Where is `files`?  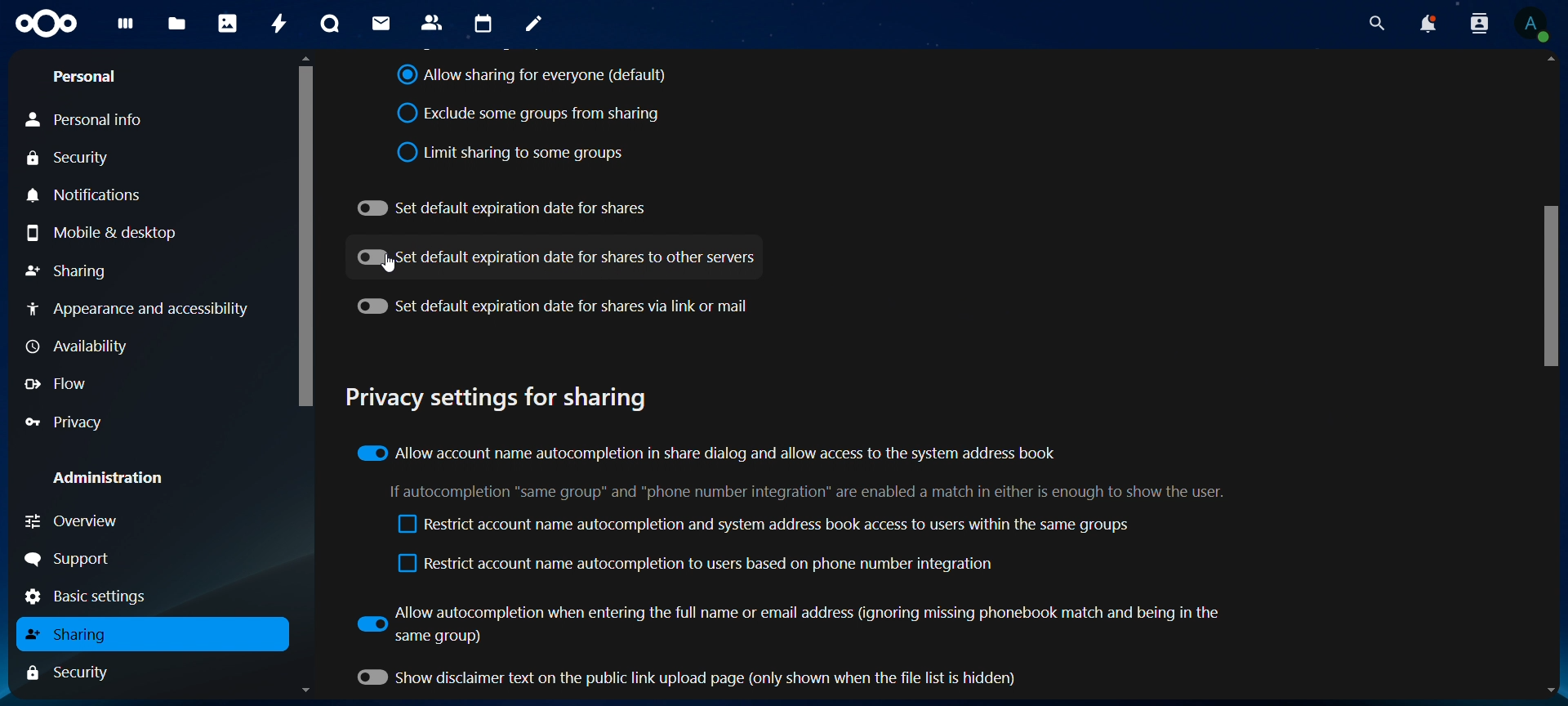
files is located at coordinates (178, 22).